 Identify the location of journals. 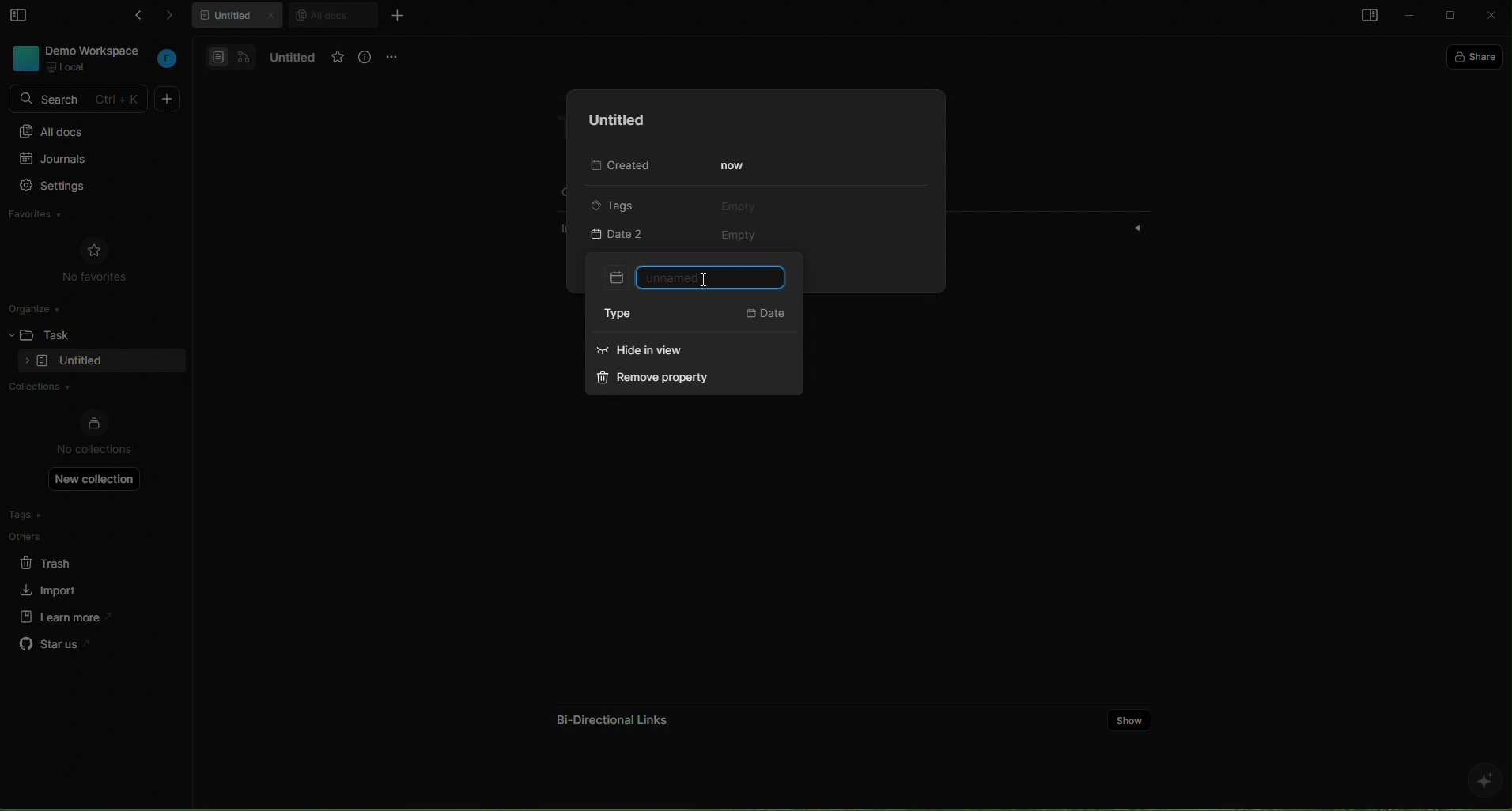
(85, 160).